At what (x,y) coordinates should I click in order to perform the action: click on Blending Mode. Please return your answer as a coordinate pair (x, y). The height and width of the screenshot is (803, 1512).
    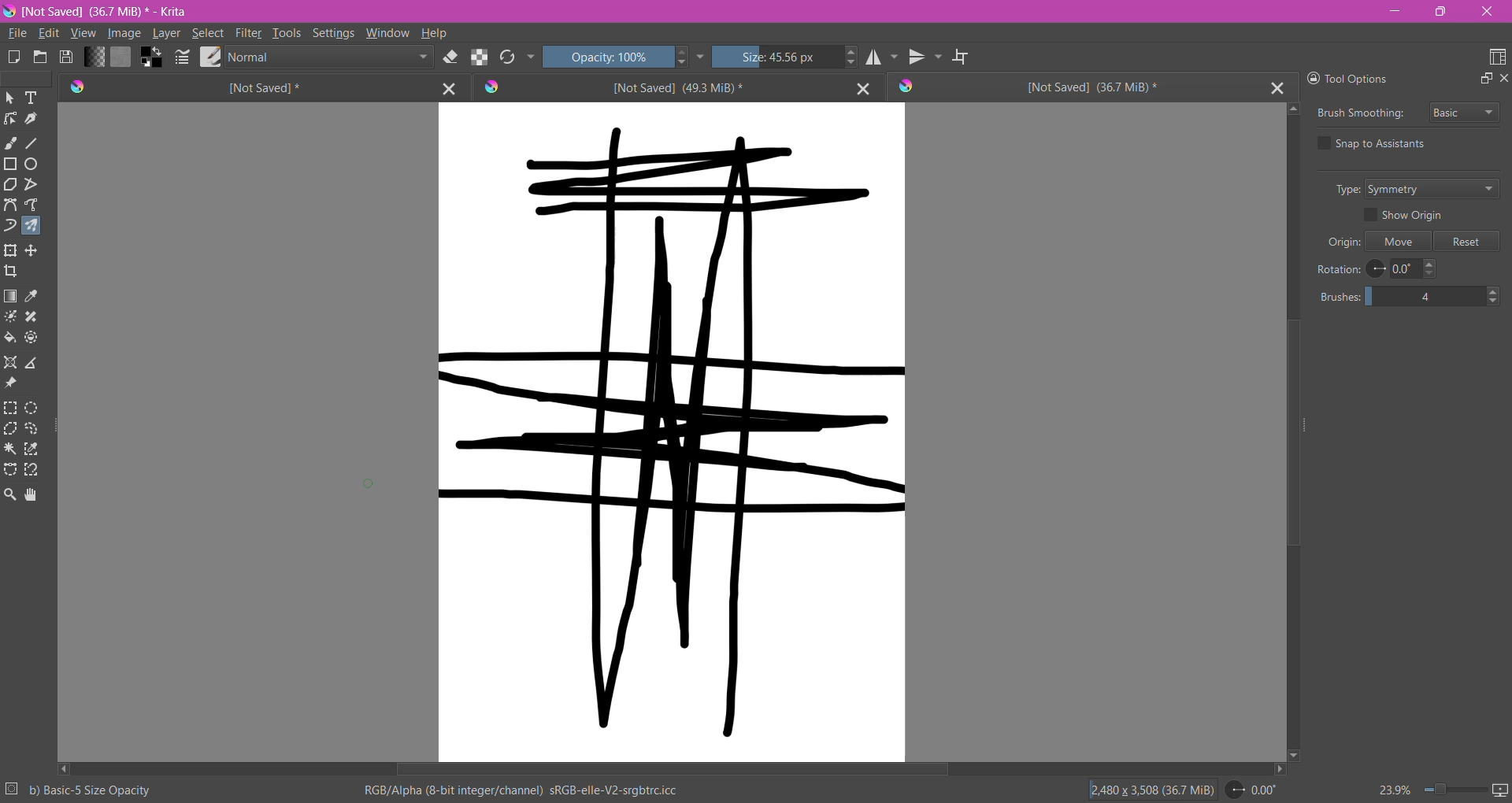
    Looking at the image, I should click on (328, 57).